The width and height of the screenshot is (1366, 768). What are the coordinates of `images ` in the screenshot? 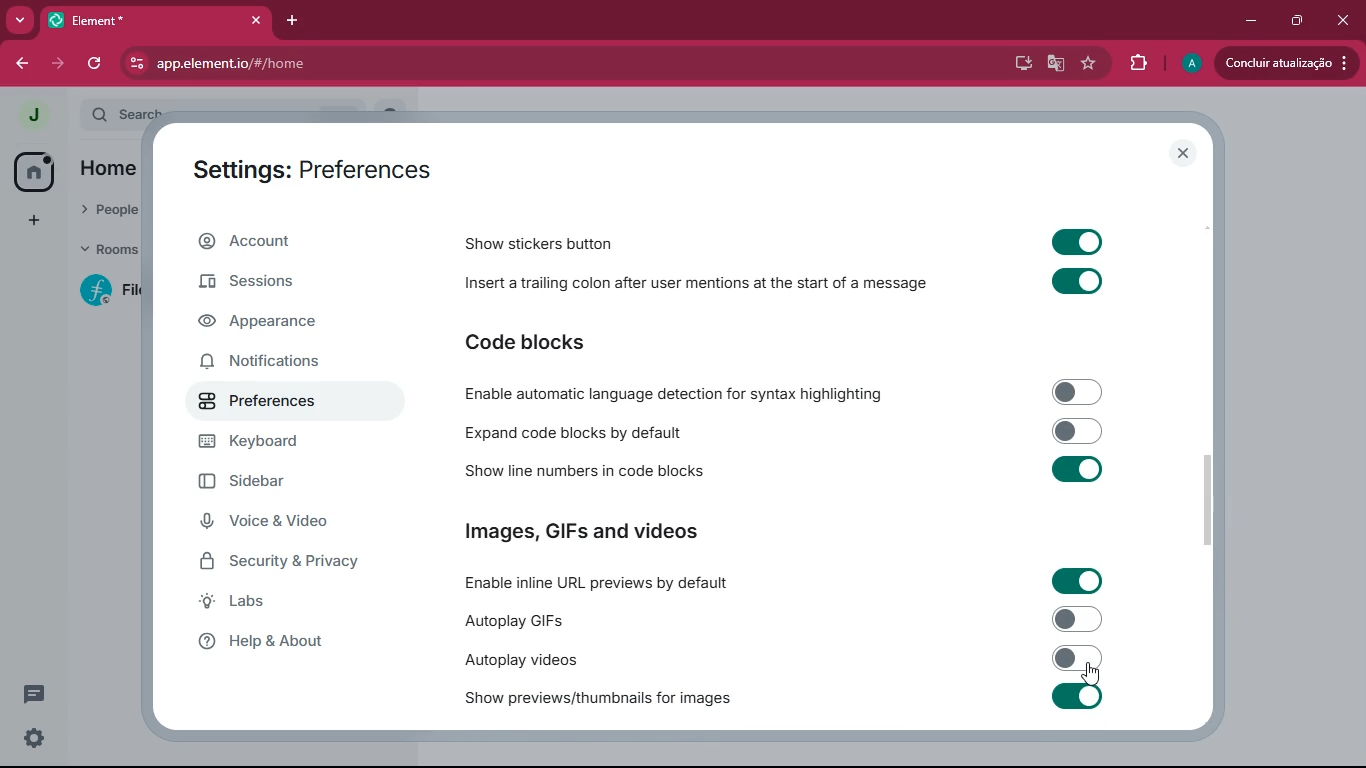 It's located at (584, 533).